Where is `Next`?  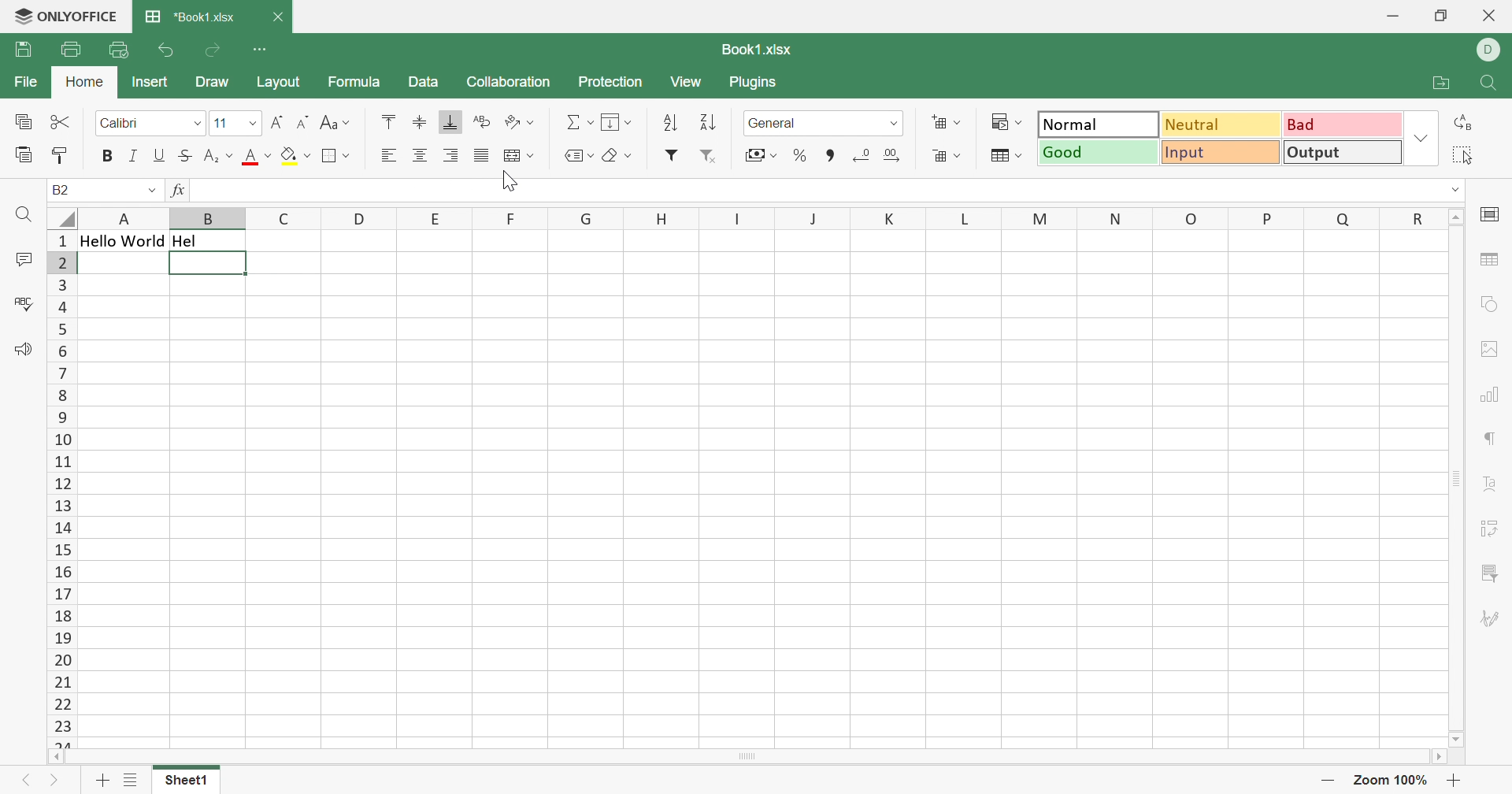
Next is located at coordinates (52, 781).